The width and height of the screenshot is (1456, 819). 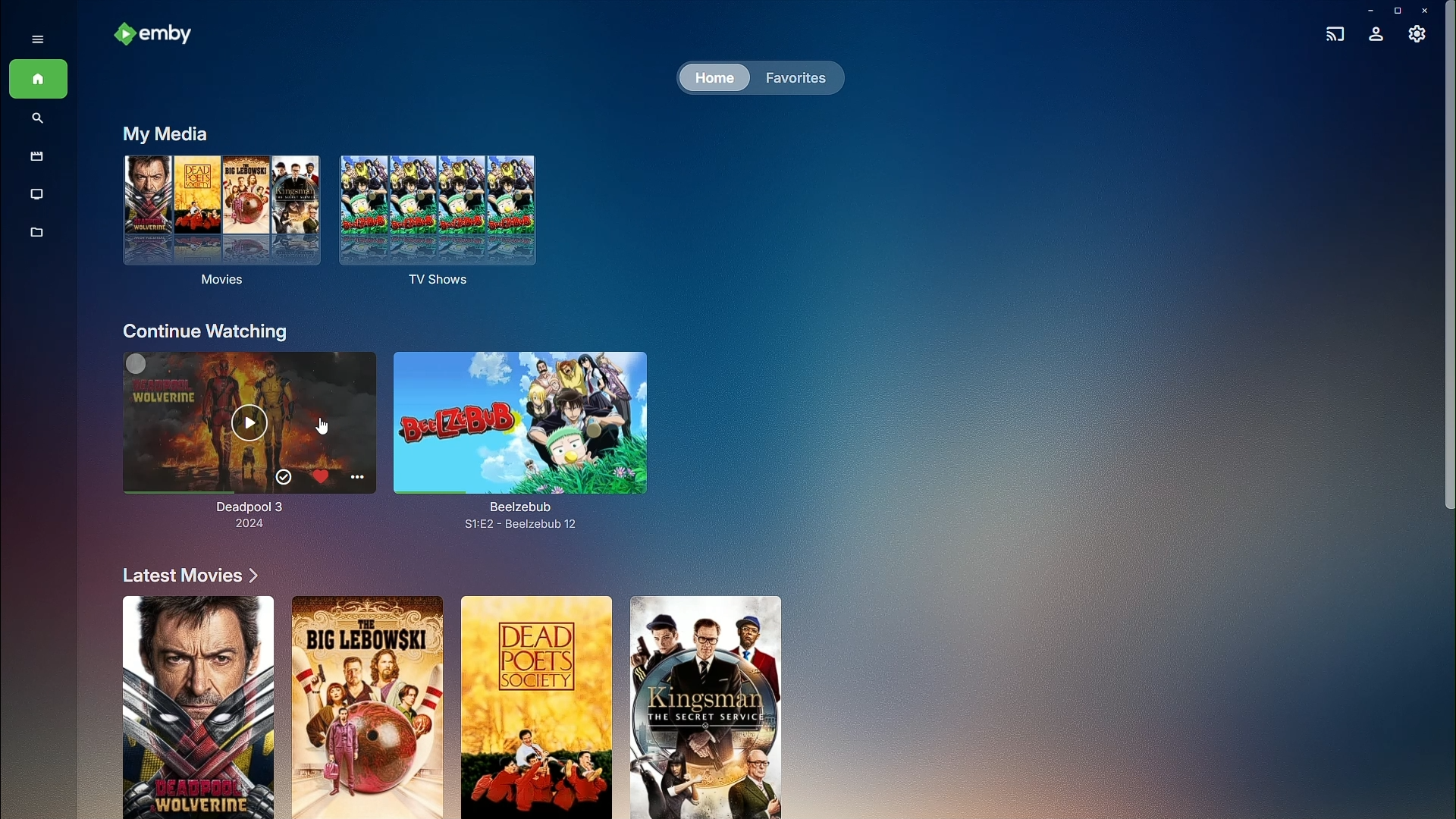 What do you see at coordinates (1426, 10) in the screenshot?
I see `Close` at bounding box center [1426, 10].